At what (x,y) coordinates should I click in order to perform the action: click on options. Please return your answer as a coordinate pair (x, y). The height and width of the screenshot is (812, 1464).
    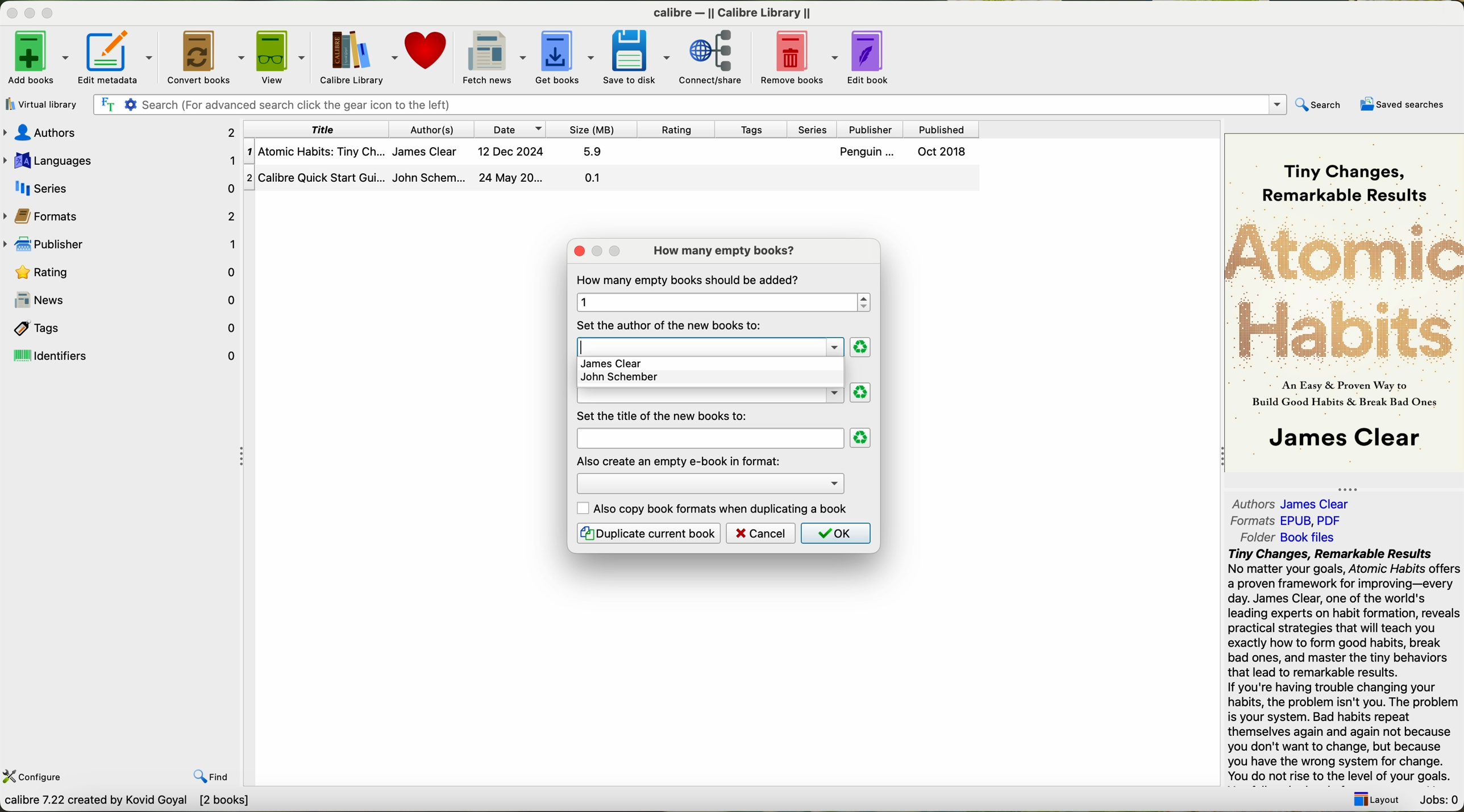
    Looking at the image, I should click on (709, 481).